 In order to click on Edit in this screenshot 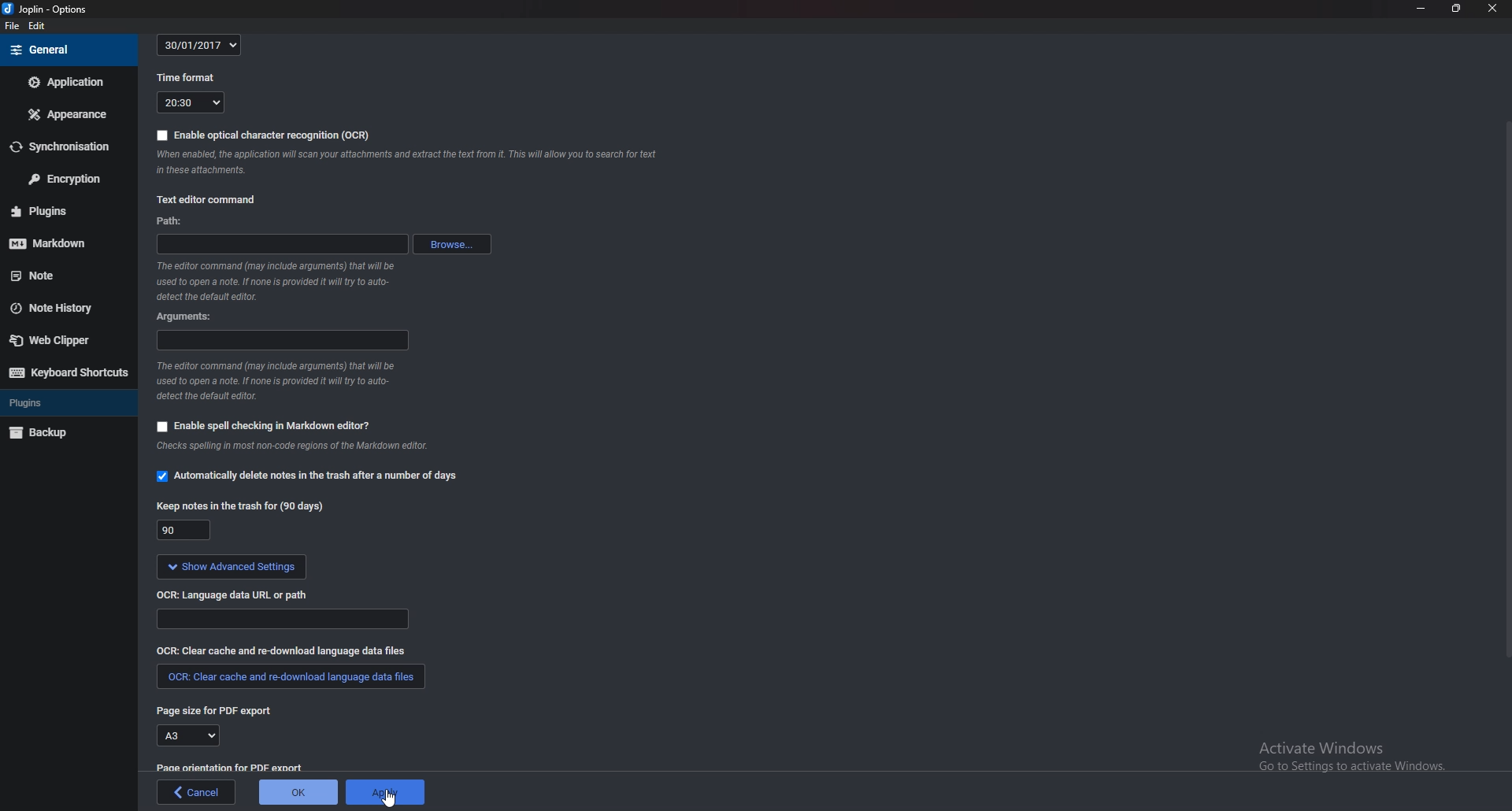, I will do `click(38, 26)`.